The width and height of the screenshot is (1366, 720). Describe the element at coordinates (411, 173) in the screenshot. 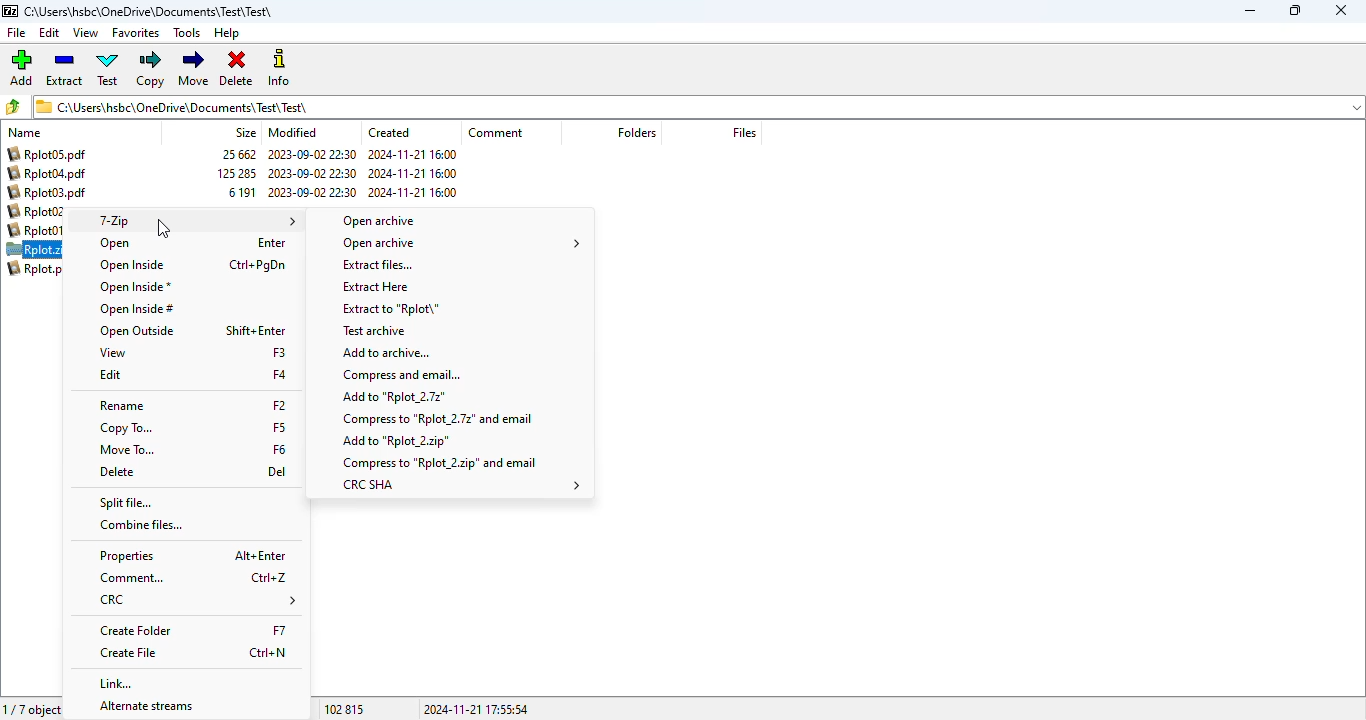

I see `2024-11-21 16:00` at that location.